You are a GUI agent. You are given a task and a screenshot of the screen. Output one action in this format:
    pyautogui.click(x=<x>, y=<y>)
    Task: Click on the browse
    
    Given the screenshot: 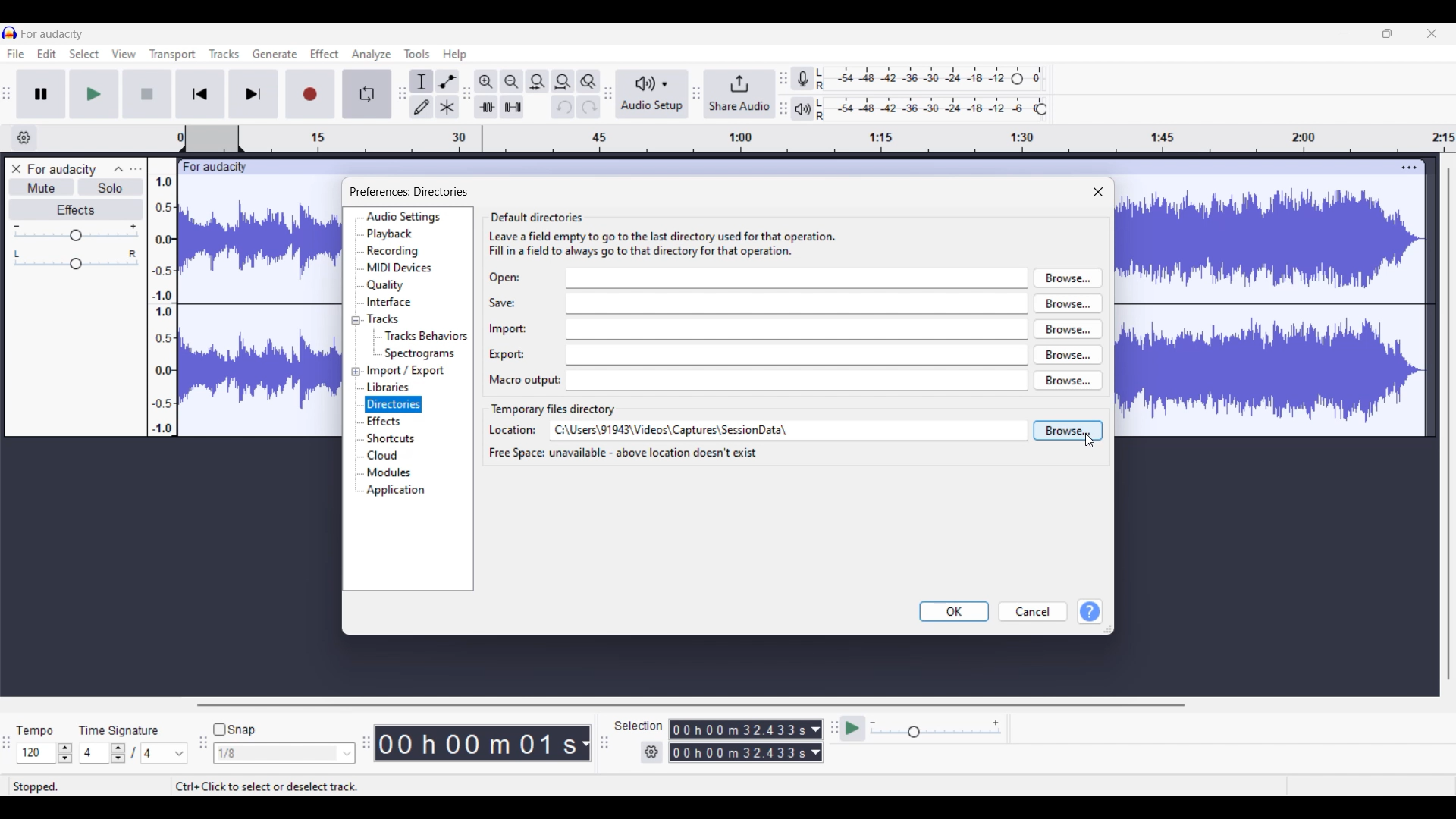 What is the action you would take?
    pyautogui.click(x=1068, y=380)
    